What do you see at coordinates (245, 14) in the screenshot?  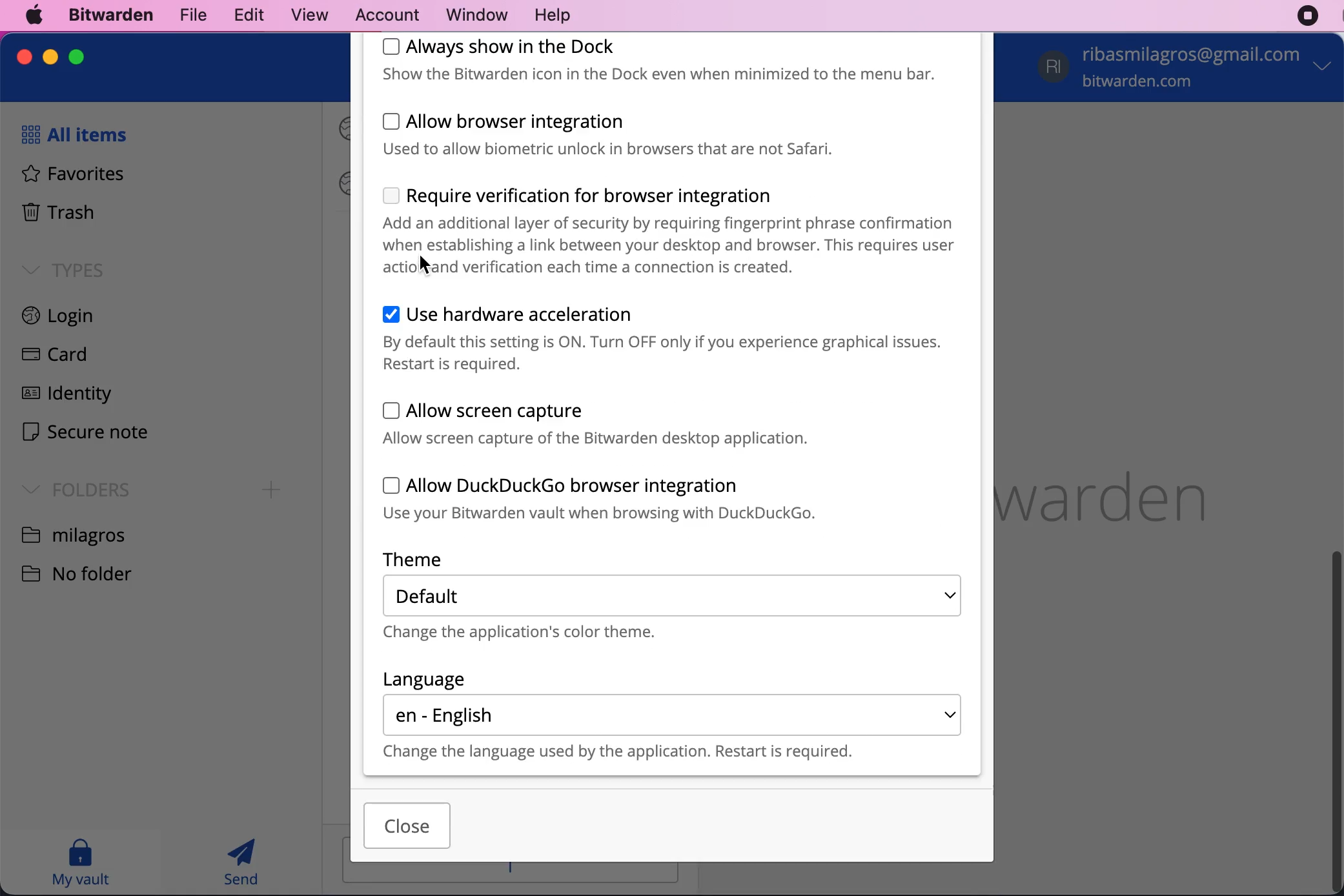 I see `edit` at bounding box center [245, 14].